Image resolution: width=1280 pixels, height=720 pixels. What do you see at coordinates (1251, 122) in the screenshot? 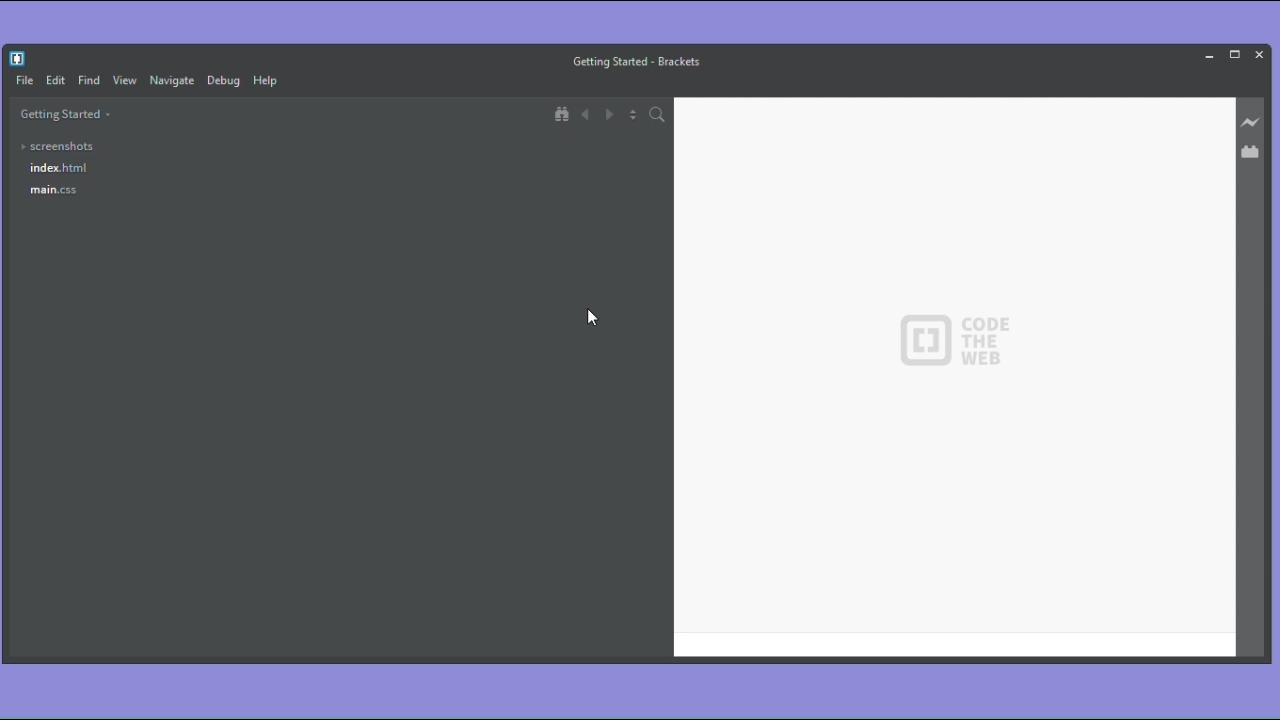
I see `Live preview` at bounding box center [1251, 122].